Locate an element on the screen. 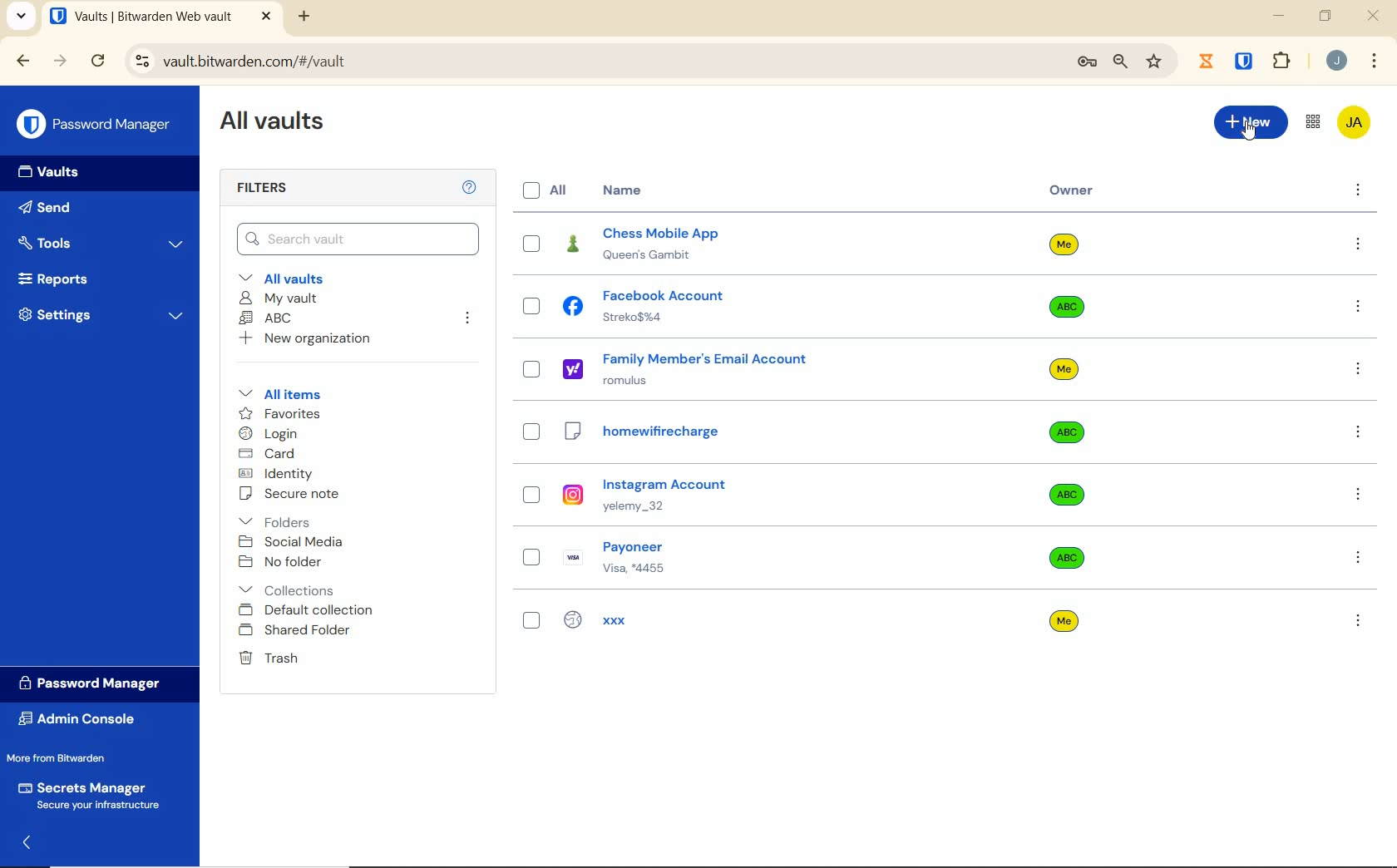 Image resolution: width=1397 pixels, height=868 pixels. identity is located at coordinates (279, 474).